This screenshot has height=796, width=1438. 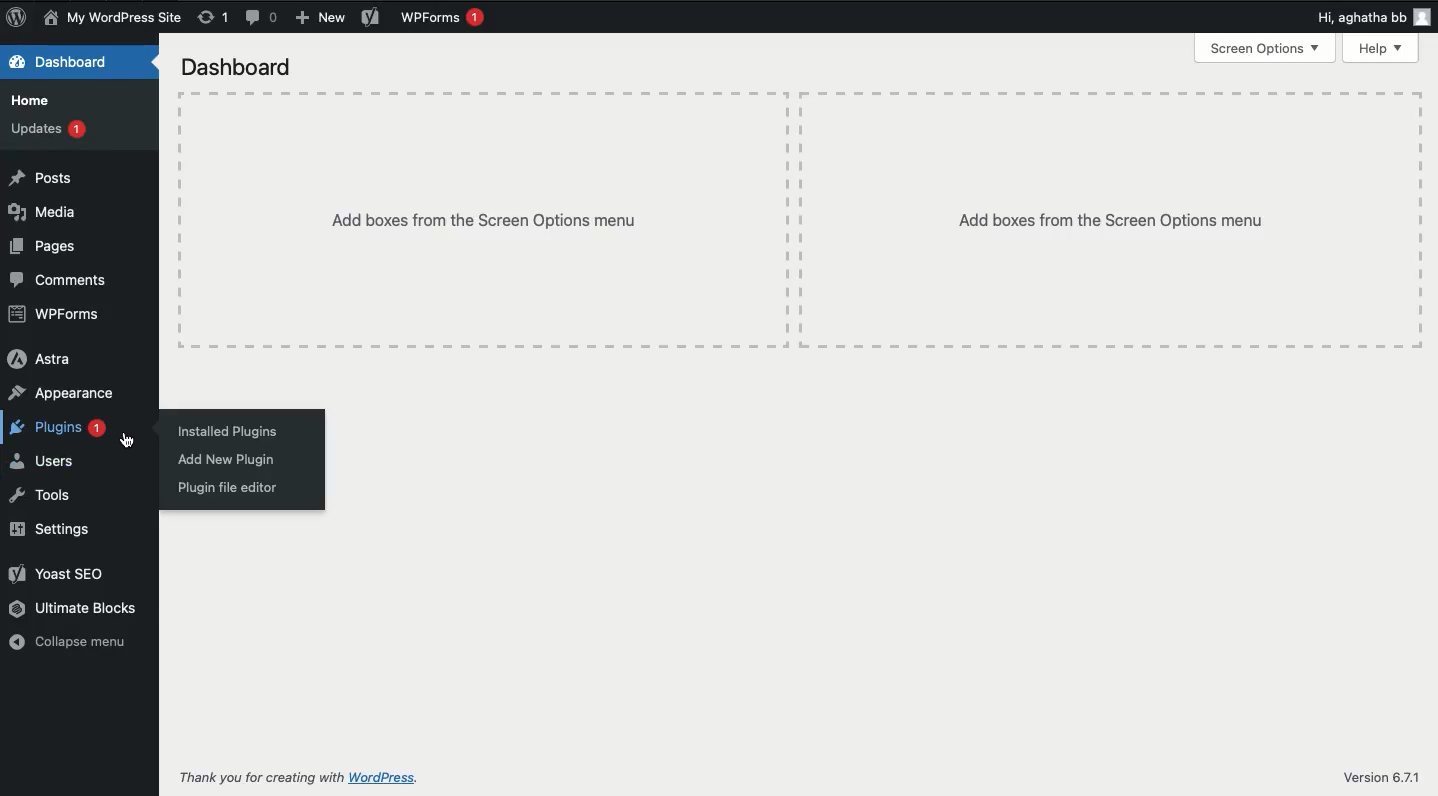 What do you see at coordinates (1269, 47) in the screenshot?
I see `Screen options` at bounding box center [1269, 47].